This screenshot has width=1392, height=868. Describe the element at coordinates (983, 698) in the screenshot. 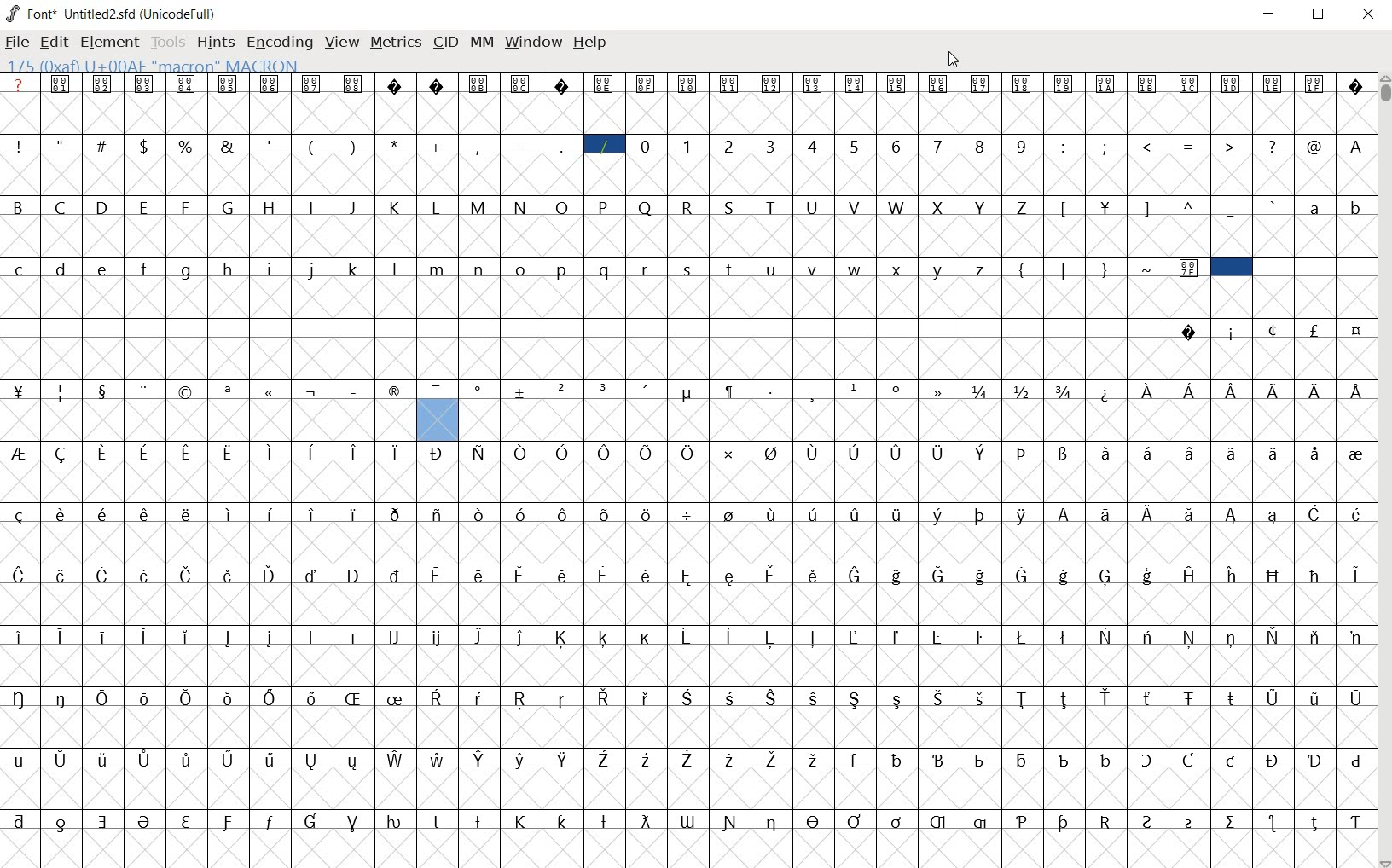

I see `Symbol` at that location.